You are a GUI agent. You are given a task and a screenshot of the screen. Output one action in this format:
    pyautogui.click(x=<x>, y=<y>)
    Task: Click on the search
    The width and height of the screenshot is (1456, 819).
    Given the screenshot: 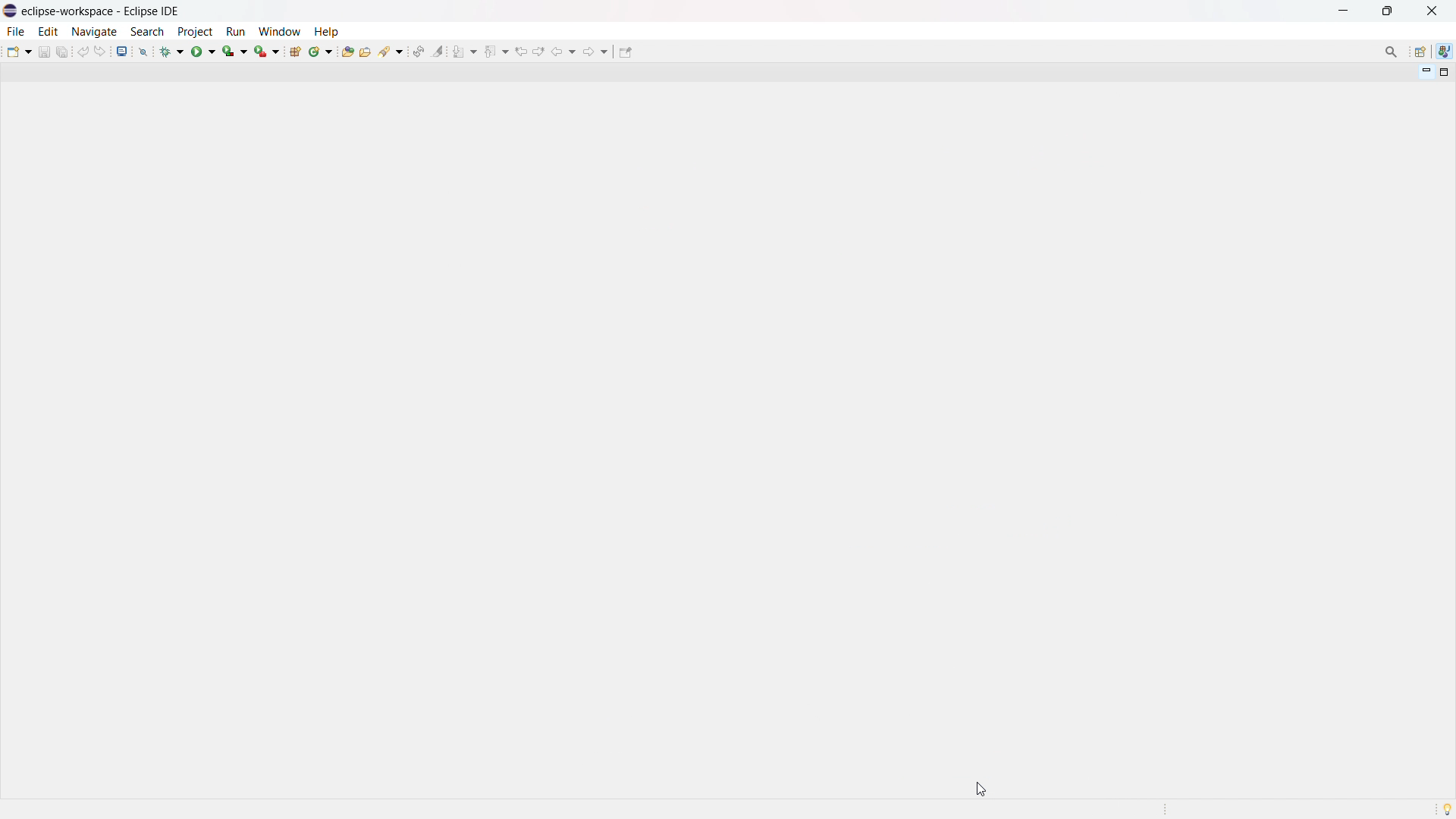 What is the action you would take?
    pyautogui.click(x=392, y=50)
    